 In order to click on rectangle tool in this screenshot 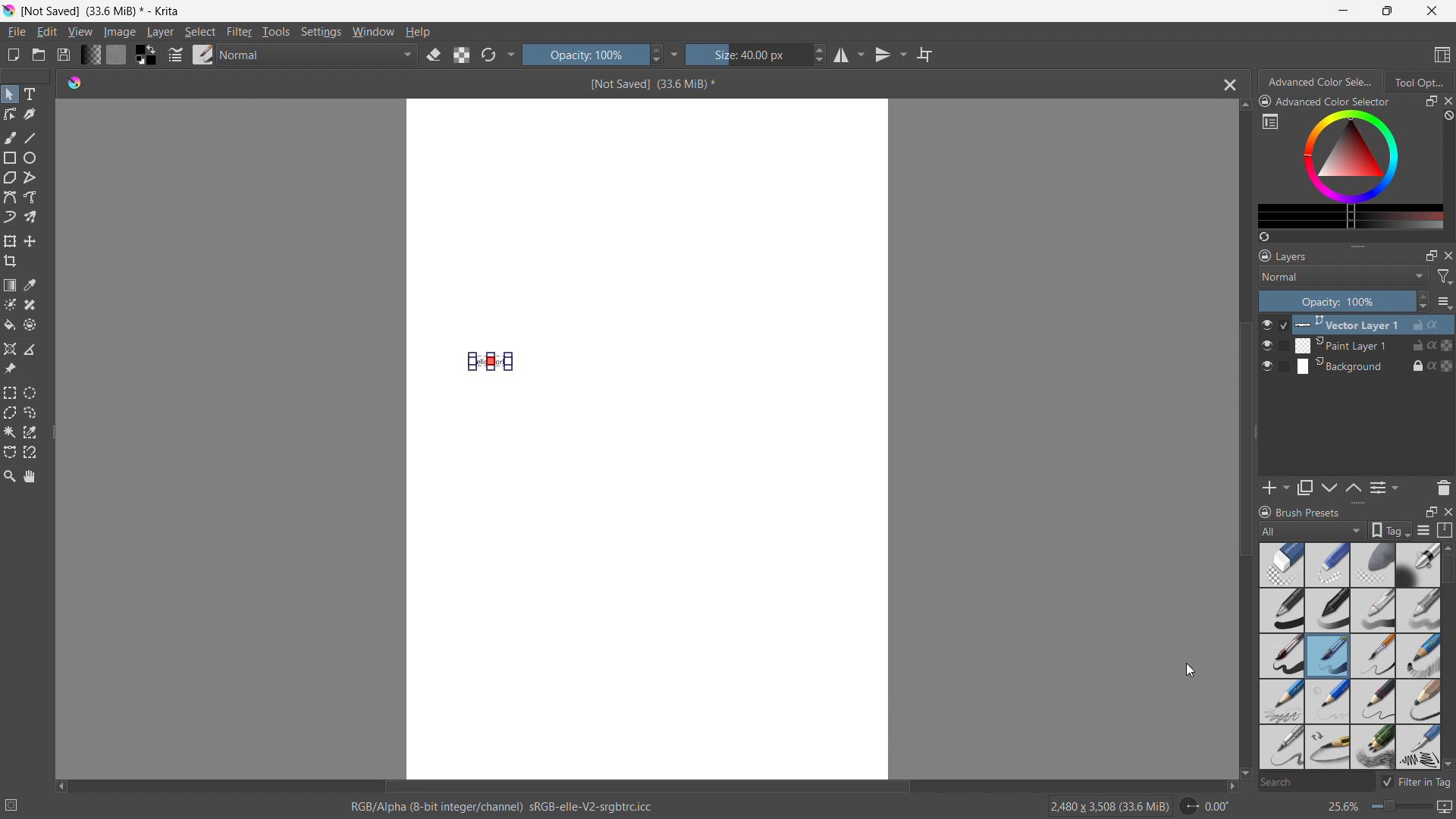, I will do `click(11, 158)`.